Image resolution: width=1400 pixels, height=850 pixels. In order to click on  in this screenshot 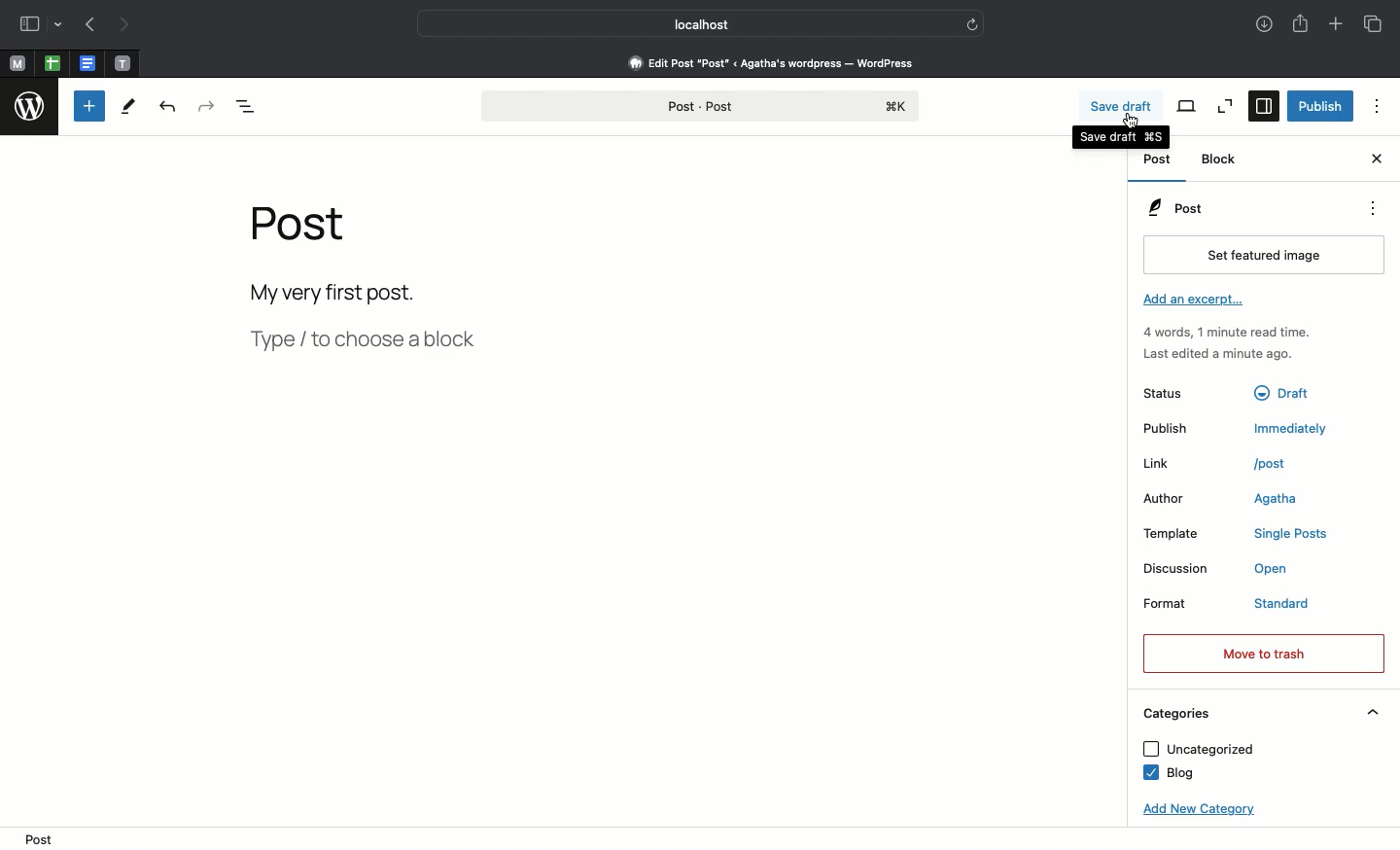, I will do `click(1288, 390)`.